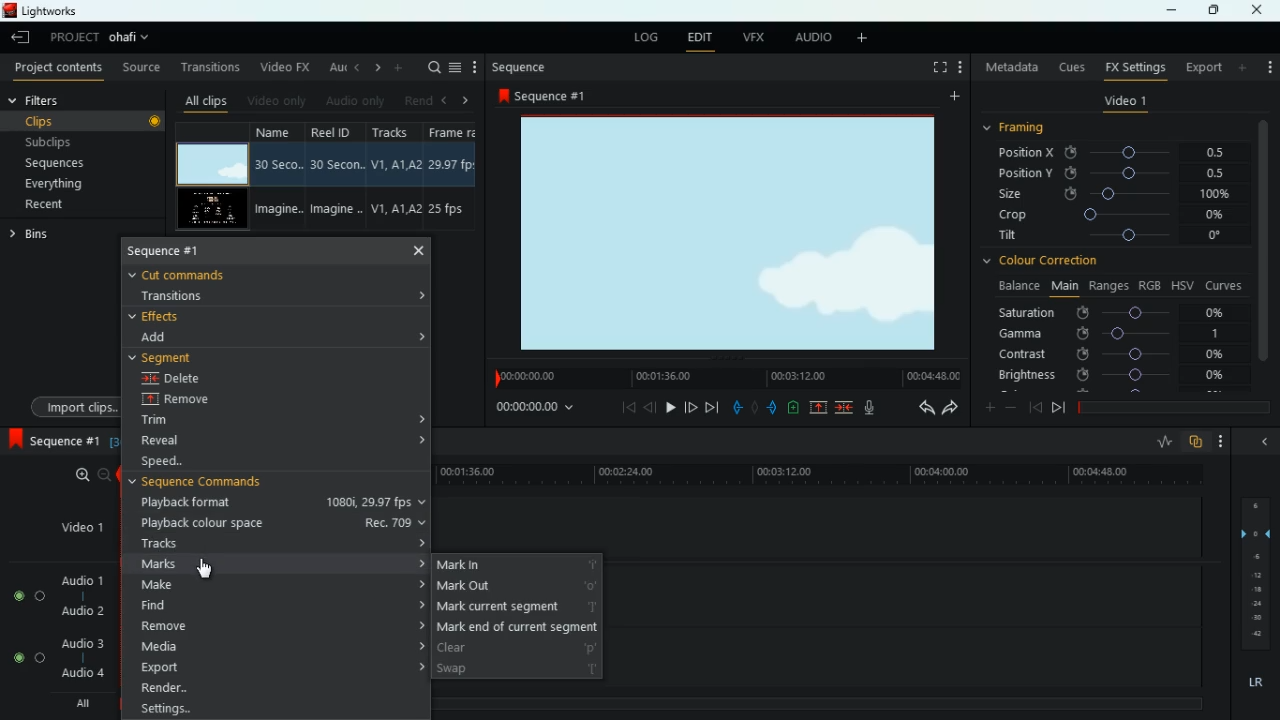  I want to click on gamma, so click(1122, 334).